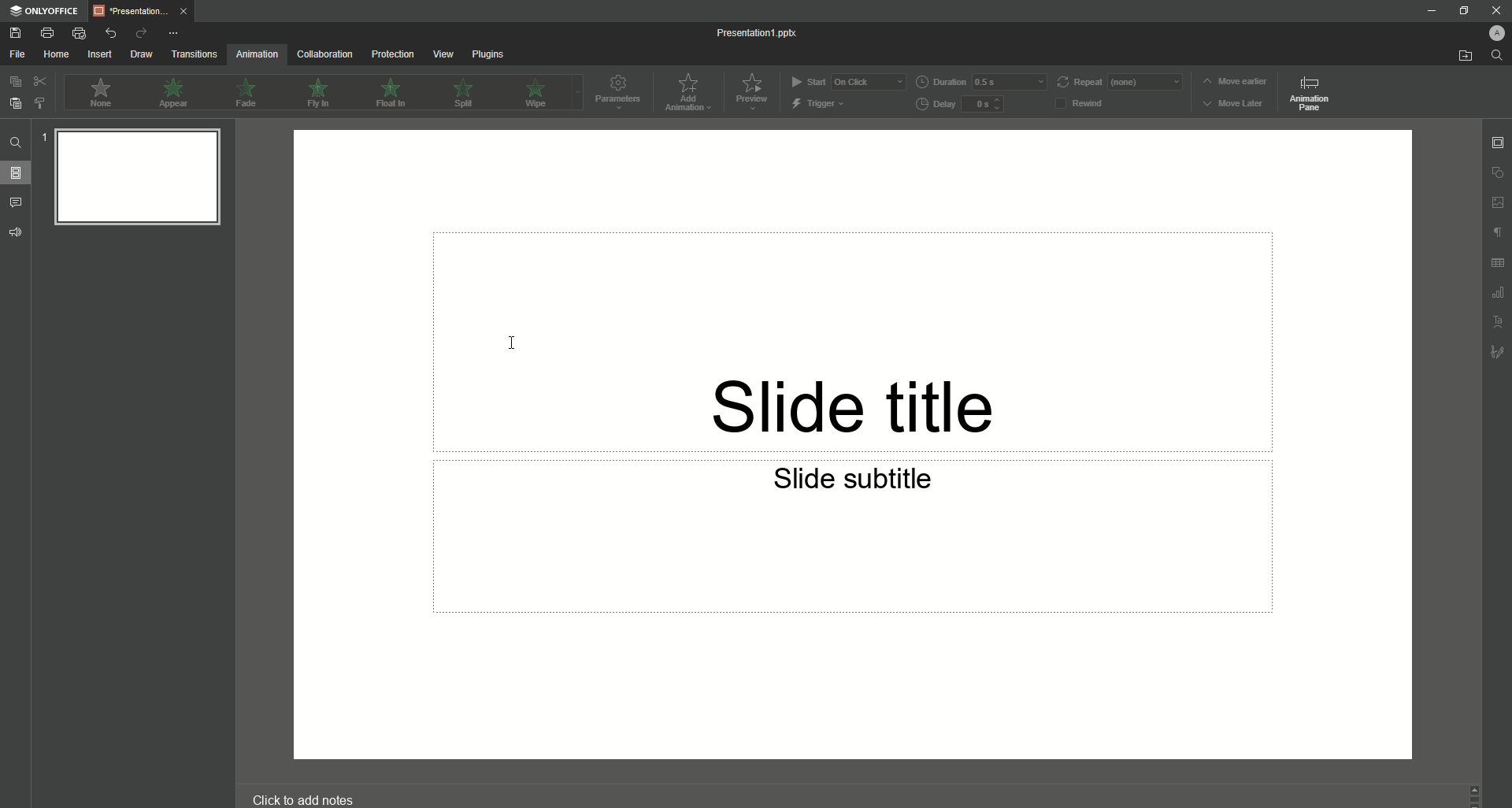  I want to click on None, so click(99, 93).